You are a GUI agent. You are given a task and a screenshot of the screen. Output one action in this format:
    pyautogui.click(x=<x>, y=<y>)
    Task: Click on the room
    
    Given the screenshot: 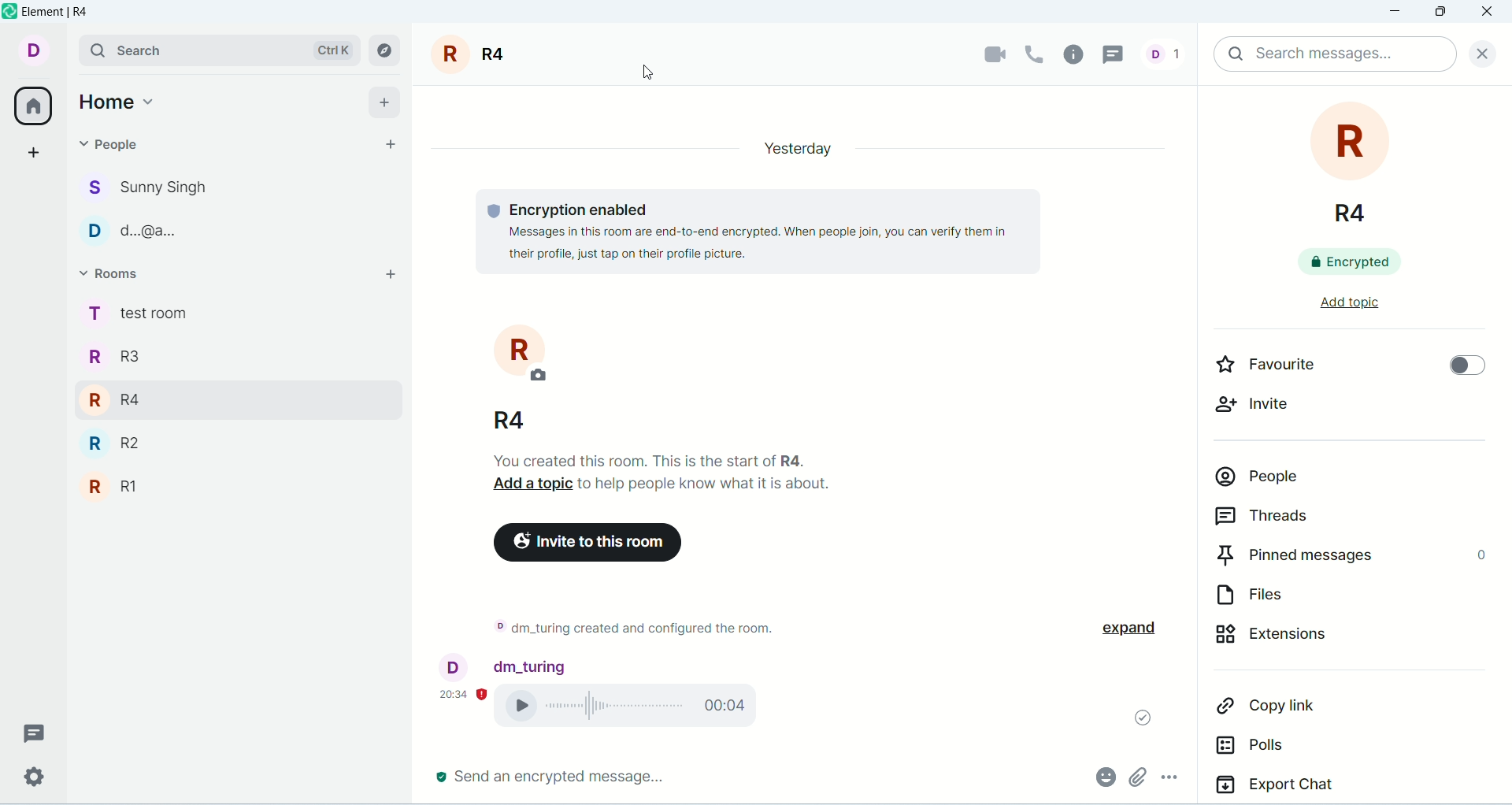 What is the action you would take?
    pyautogui.click(x=474, y=54)
    